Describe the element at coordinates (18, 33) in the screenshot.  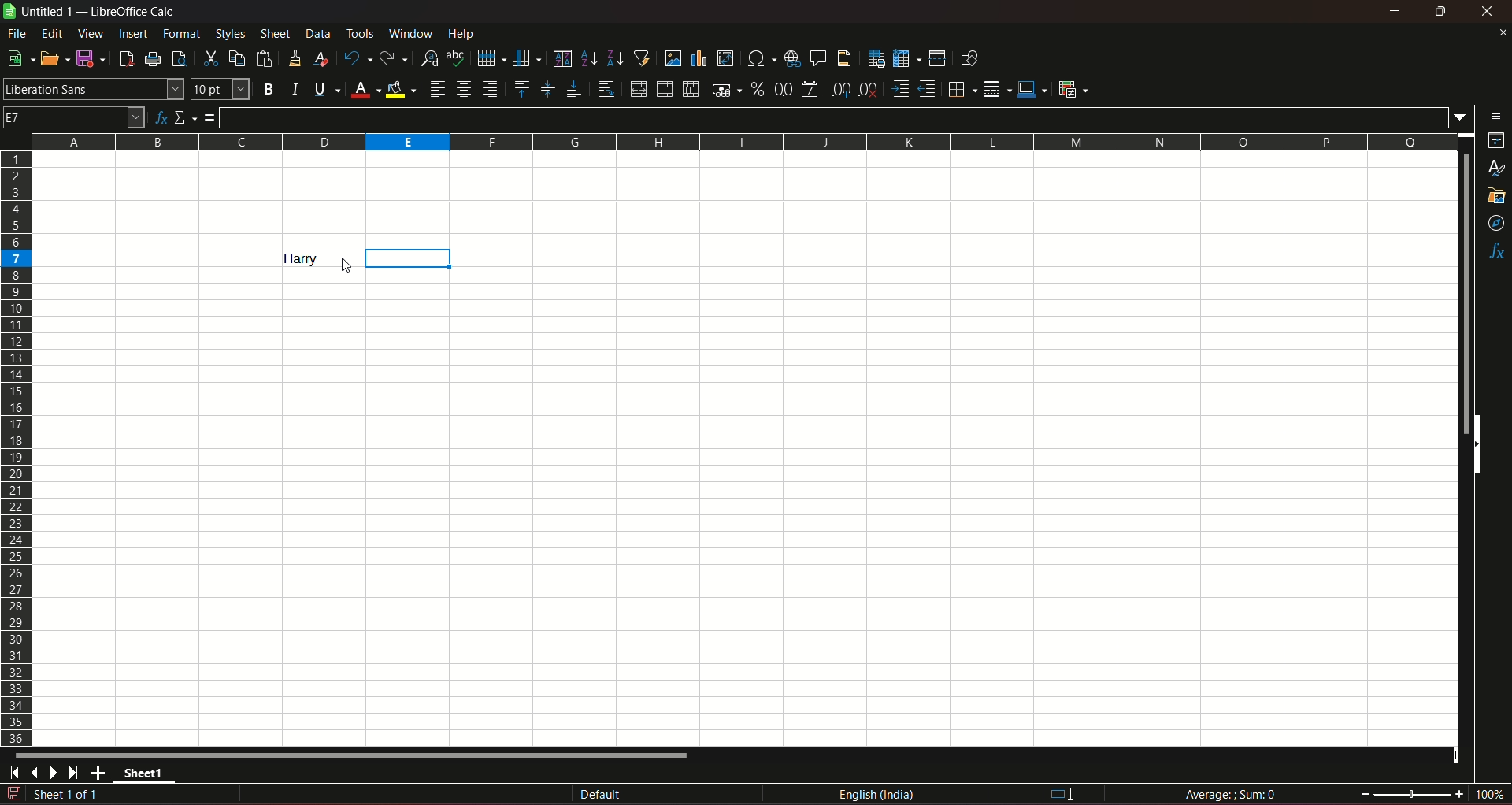
I see `file` at that location.